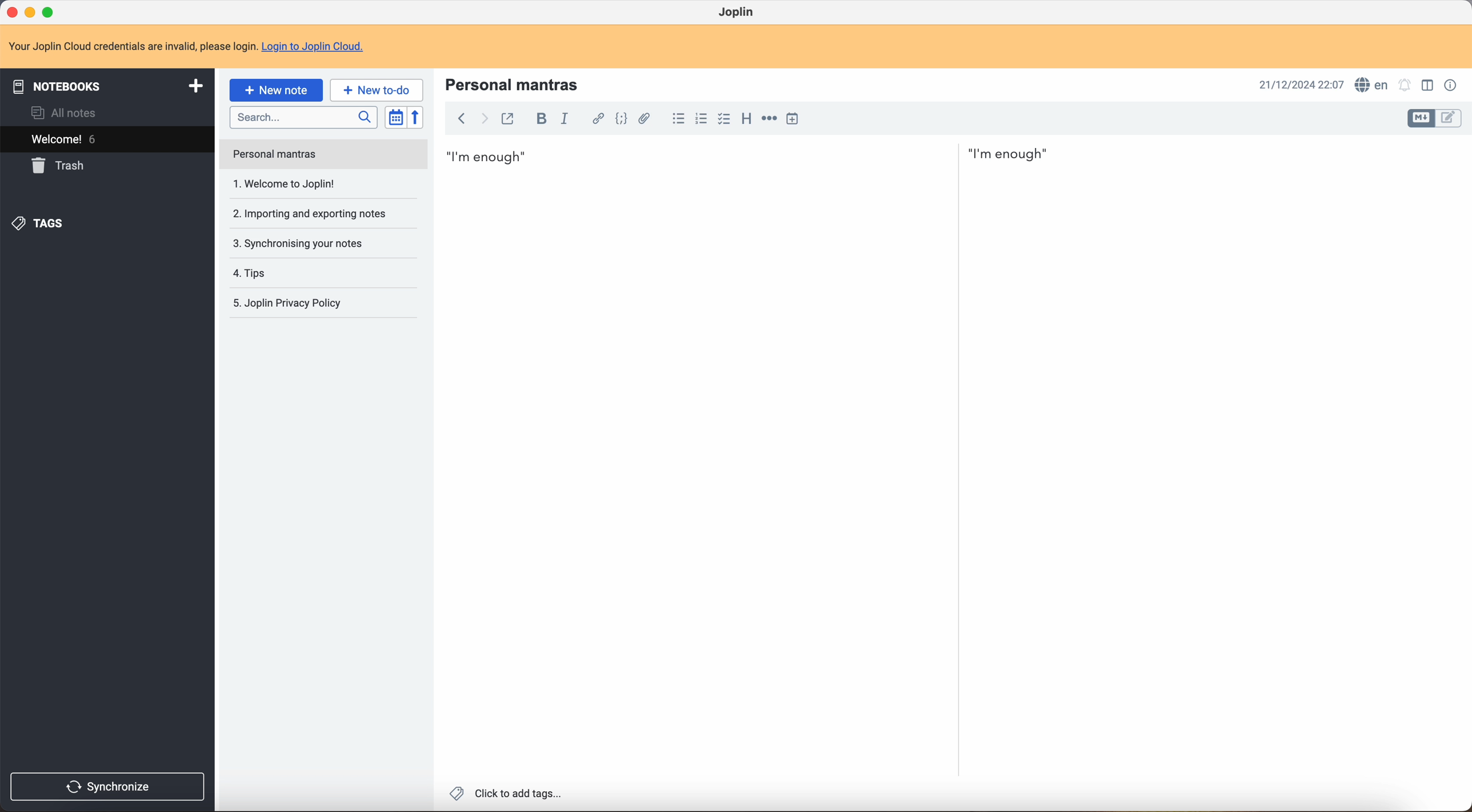 The image size is (1472, 812). Describe the element at coordinates (504, 795) in the screenshot. I see `click to add tags` at that location.